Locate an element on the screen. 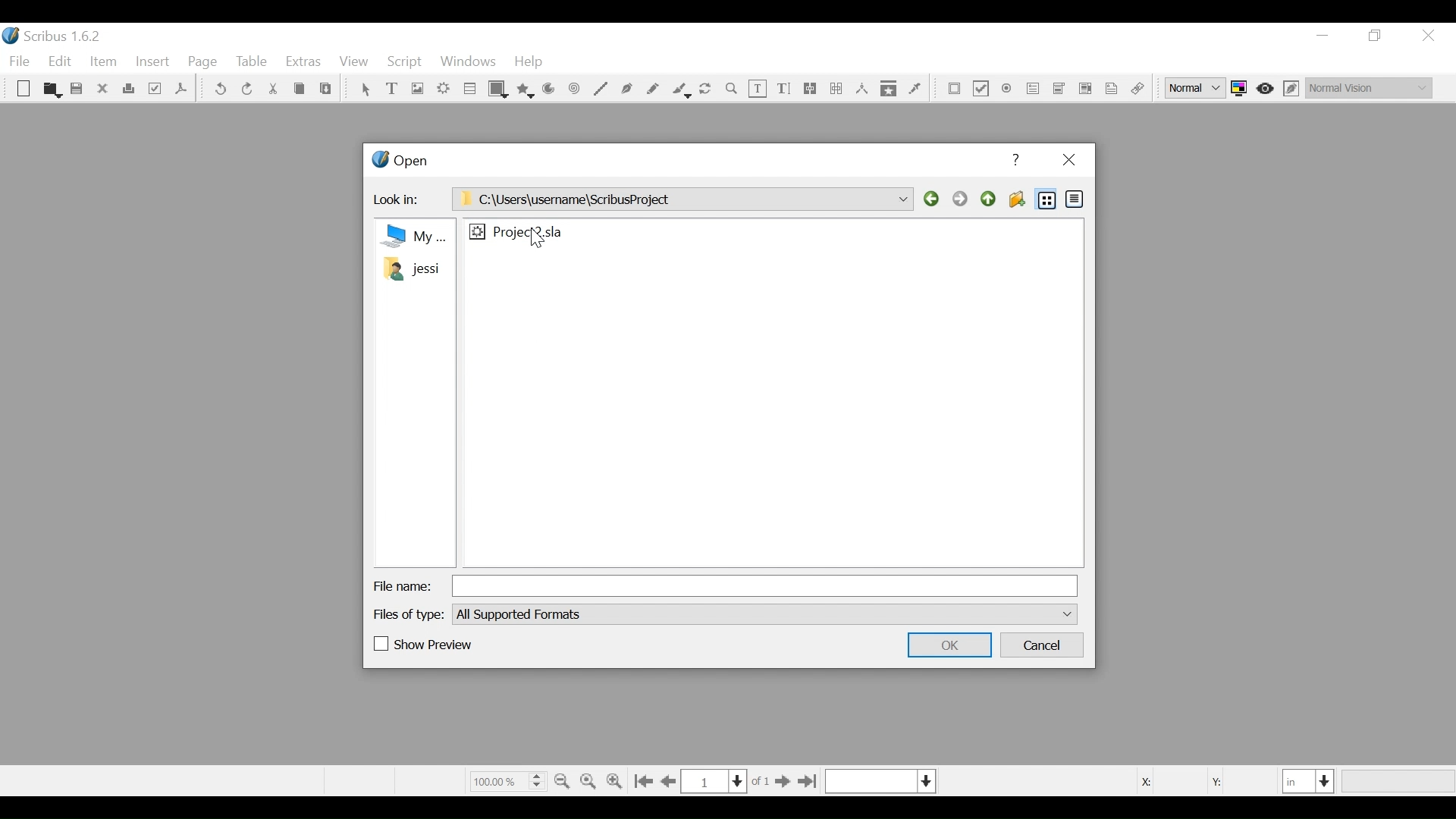 The width and height of the screenshot is (1456, 819). Cop is located at coordinates (299, 90).